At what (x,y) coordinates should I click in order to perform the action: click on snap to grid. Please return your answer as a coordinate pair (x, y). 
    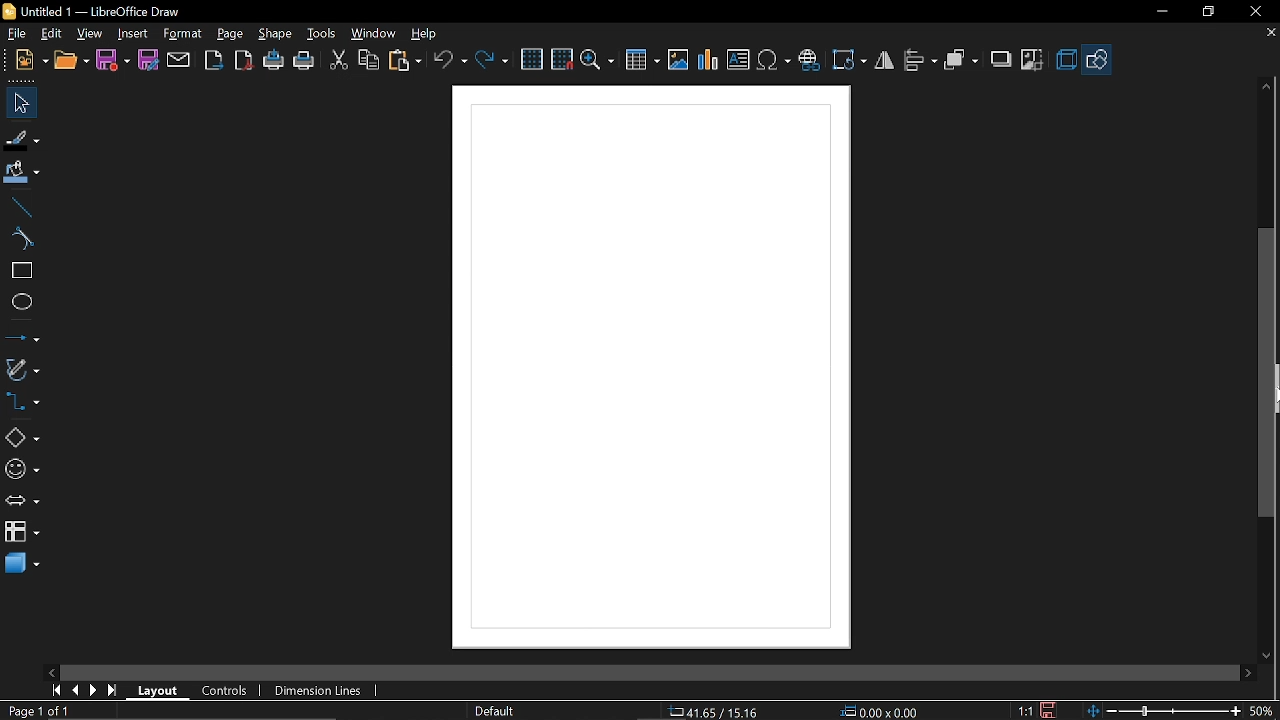
    Looking at the image, I should click on (561, 60).